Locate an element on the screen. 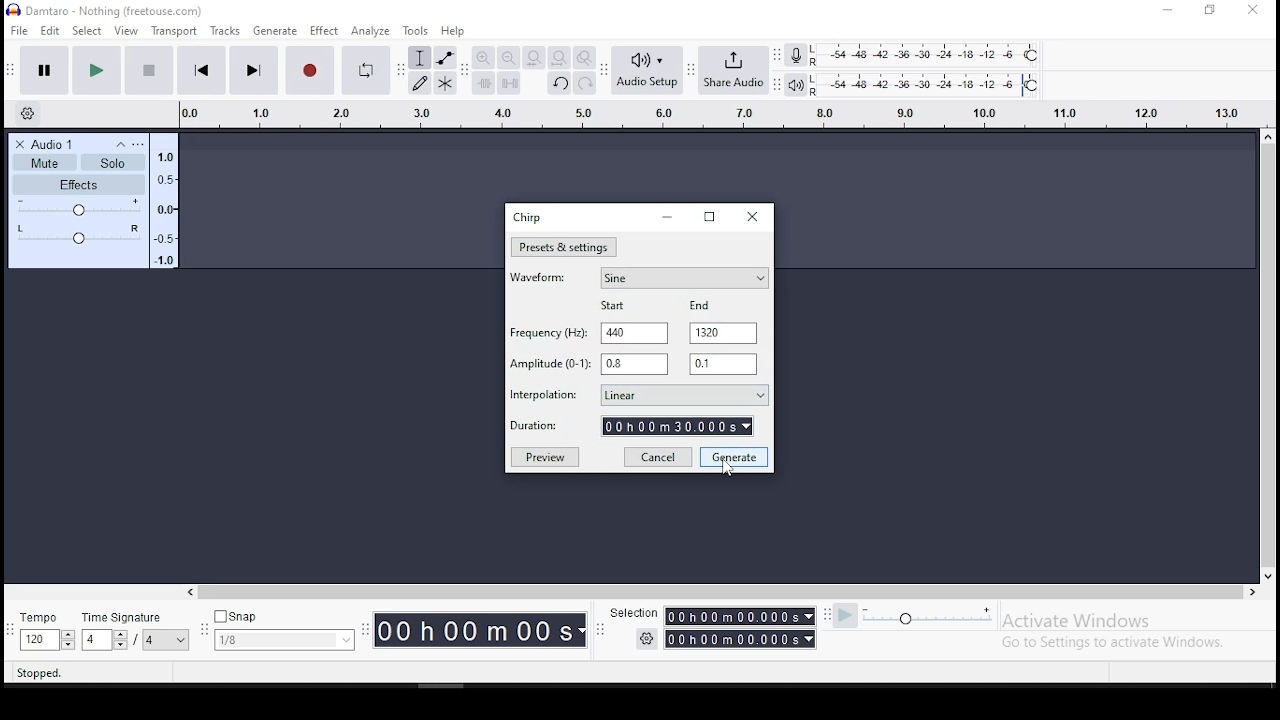  amplitude start is located at coordinates (633, 364).